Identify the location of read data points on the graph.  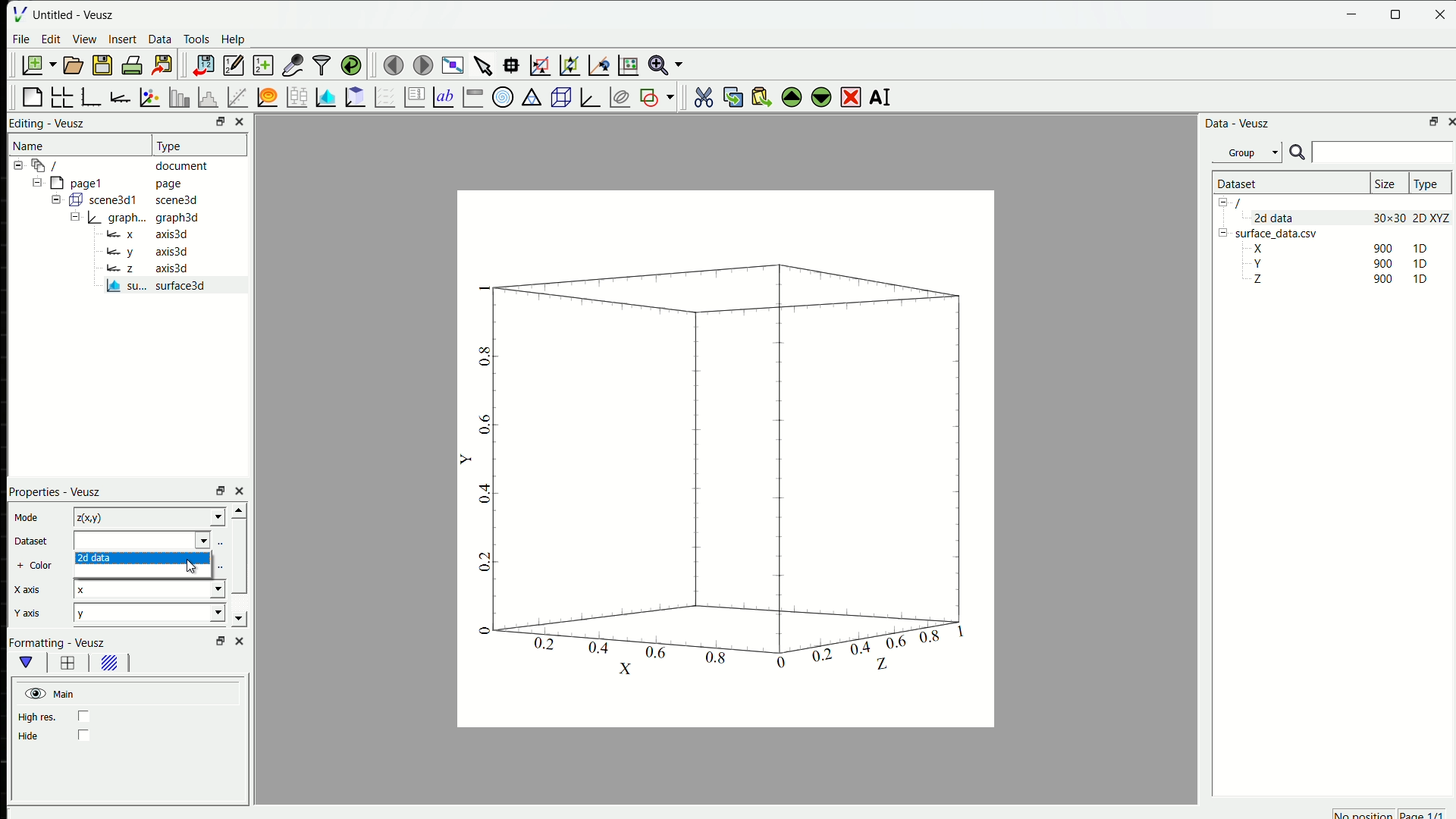
(513, 65).